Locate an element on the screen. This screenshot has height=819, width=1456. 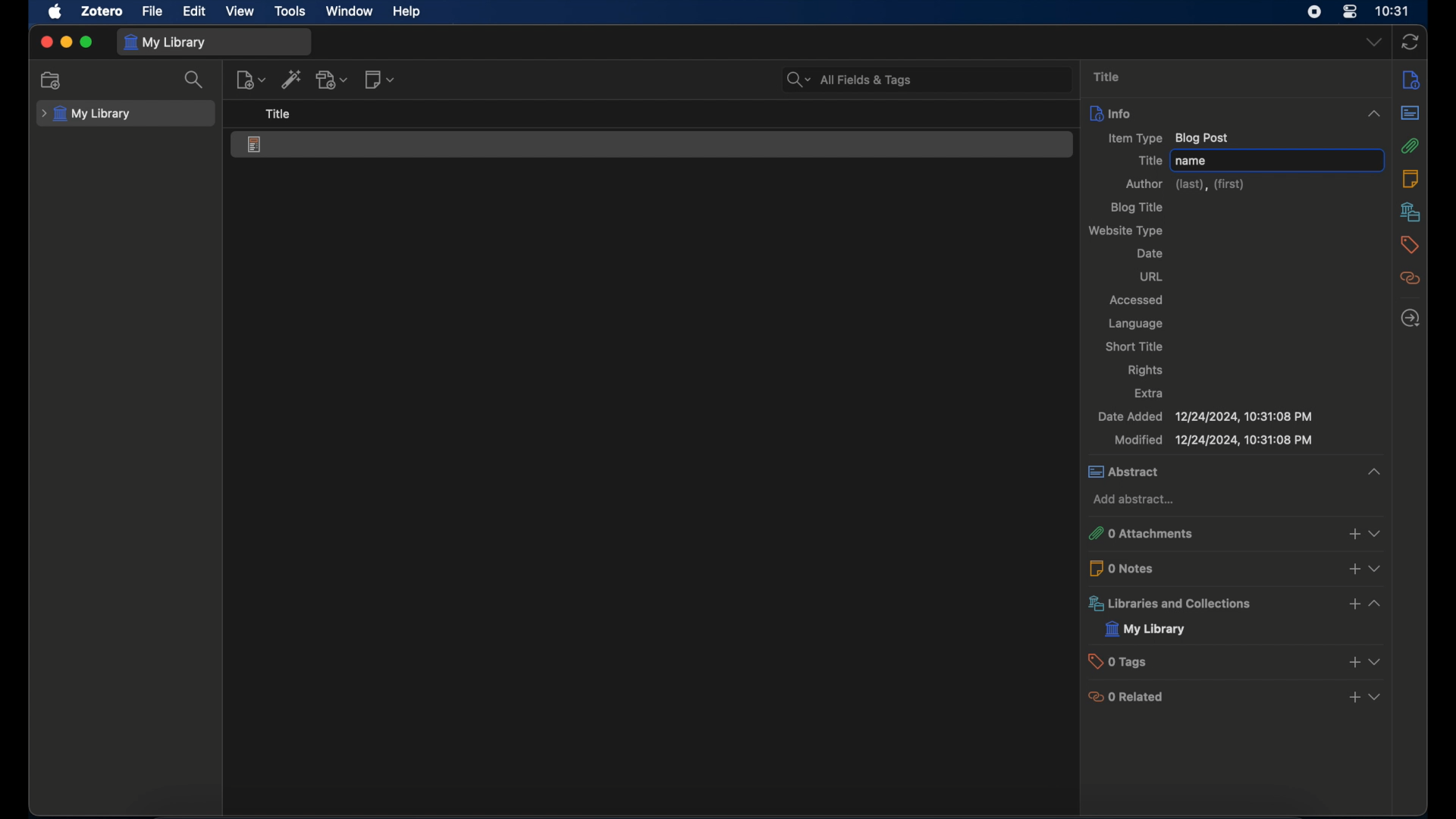
date added is located at coordinates (1204, 417).